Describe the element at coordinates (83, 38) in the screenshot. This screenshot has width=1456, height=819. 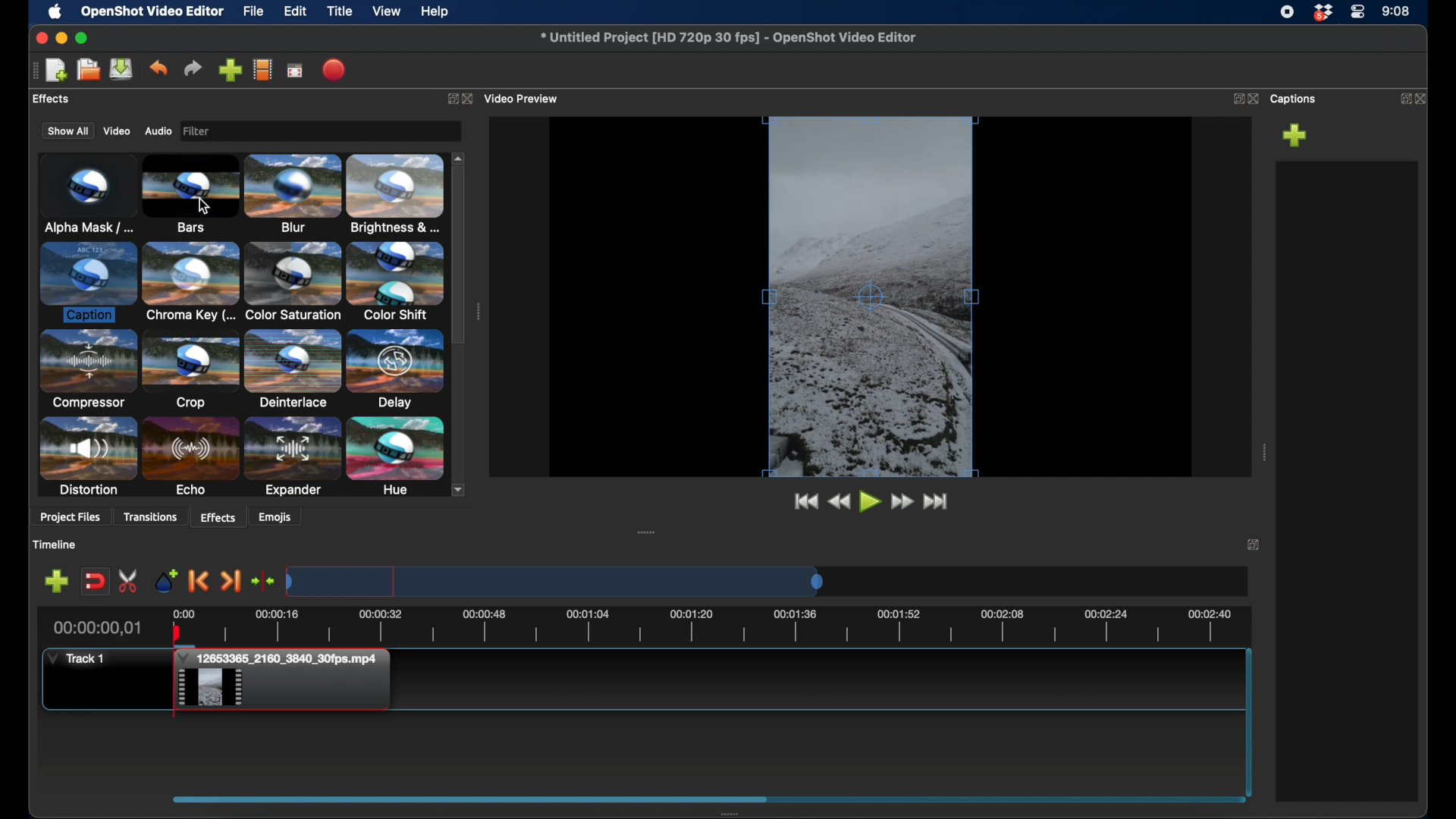
I see `maximize` at that location.